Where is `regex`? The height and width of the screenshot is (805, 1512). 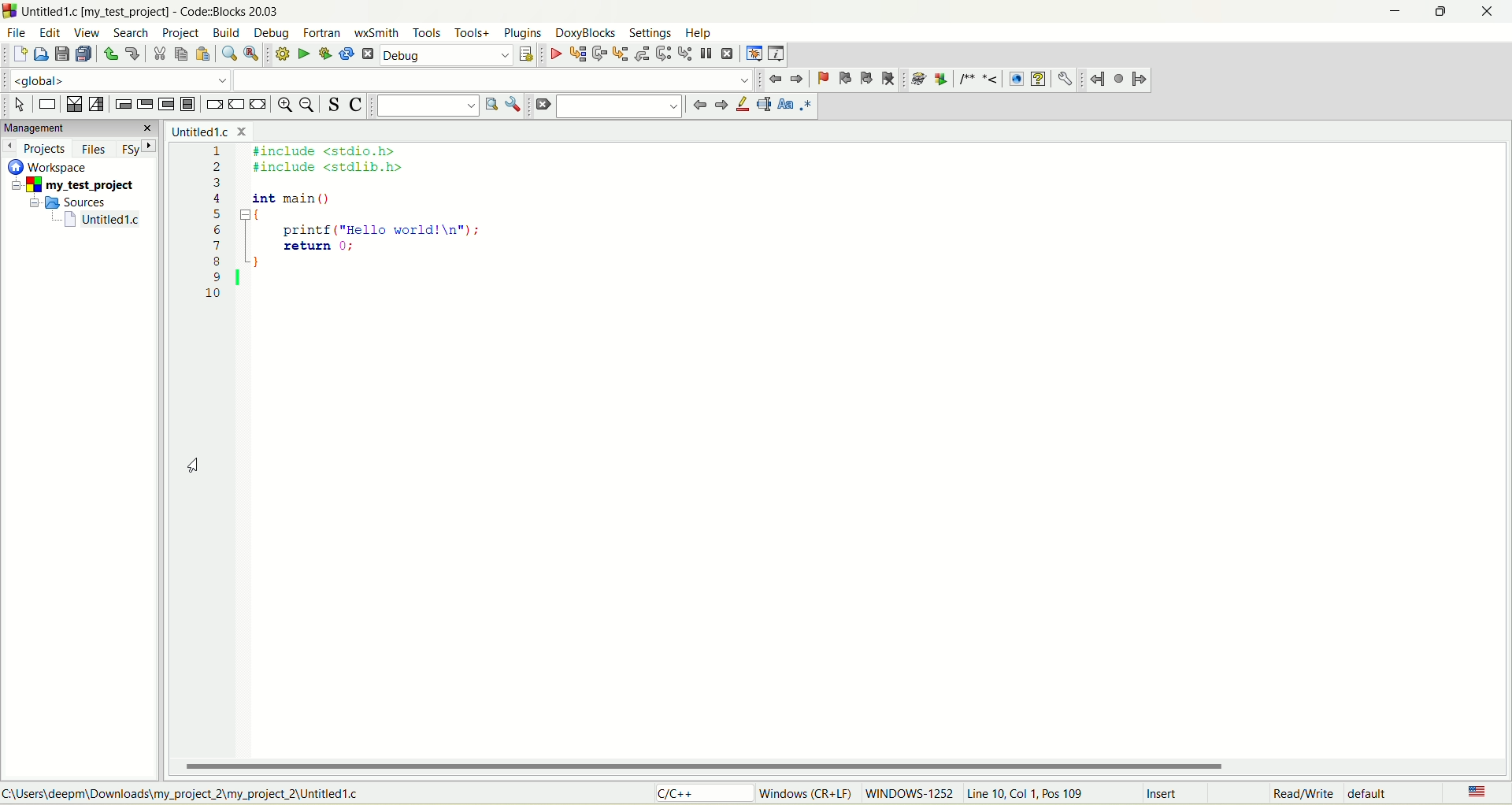
regex is located at coordinates (810, 106).